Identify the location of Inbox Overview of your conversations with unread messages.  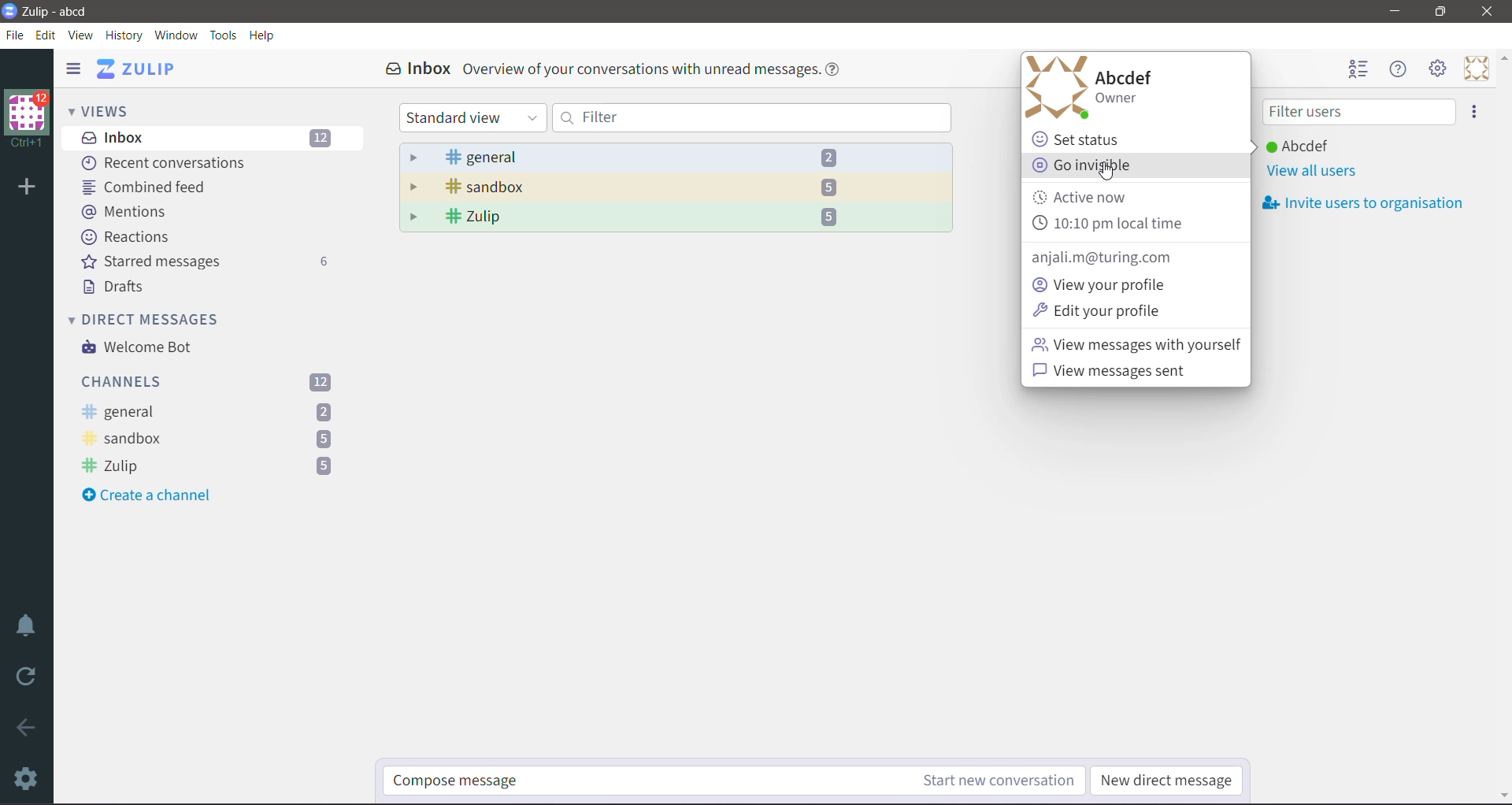
(613, 70).